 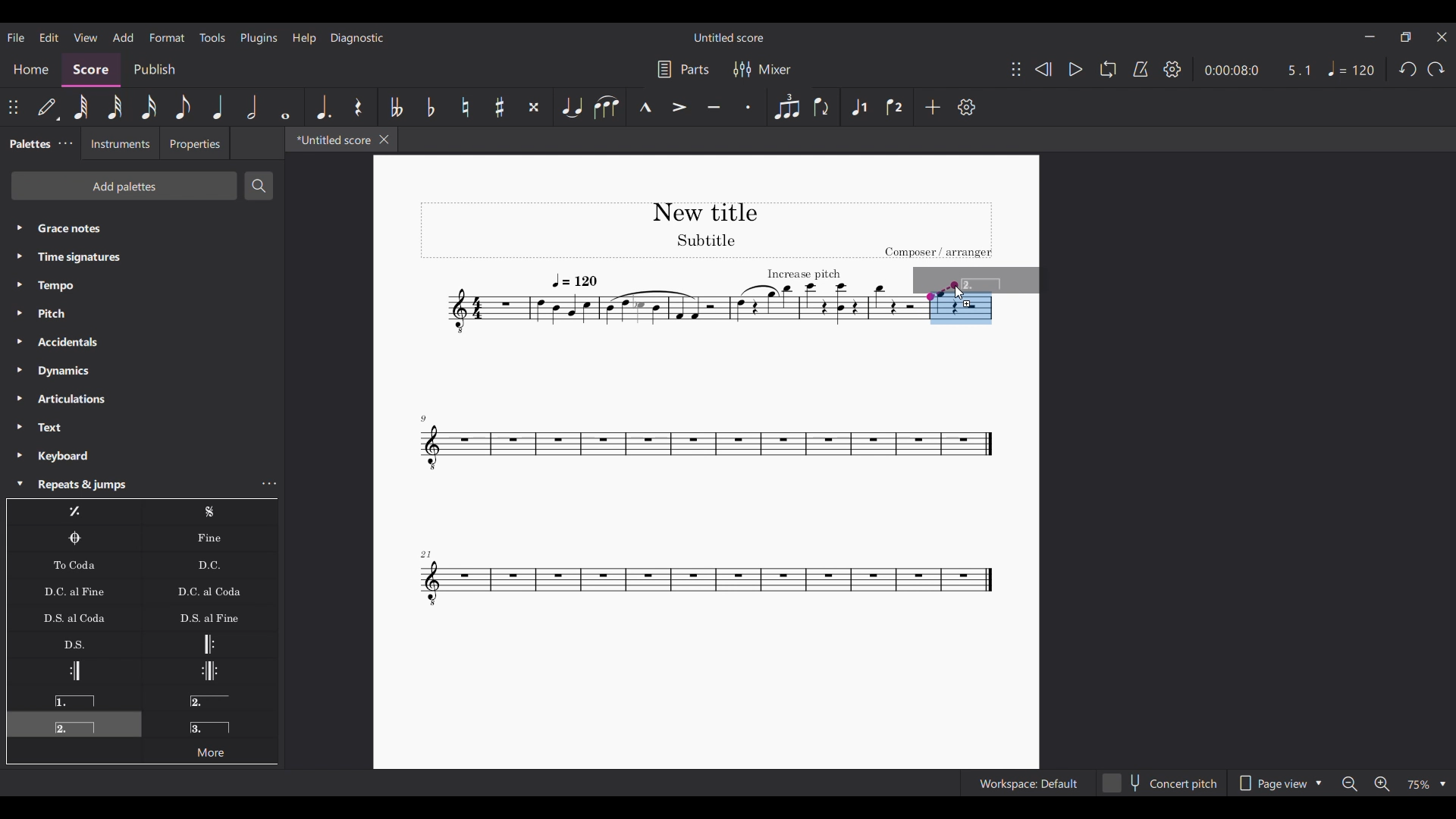 I want to click on Half note, so click(x=253, y=107).